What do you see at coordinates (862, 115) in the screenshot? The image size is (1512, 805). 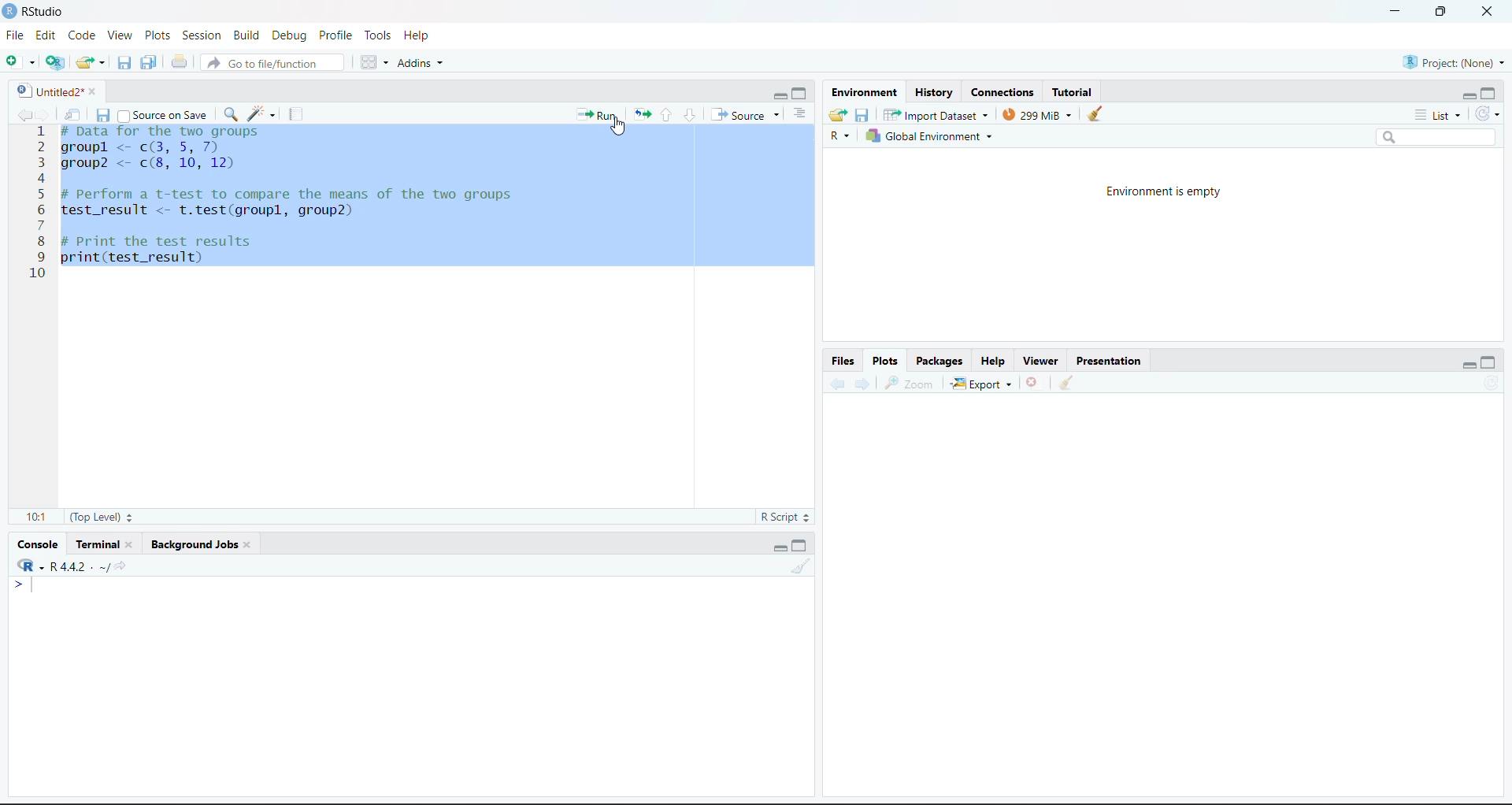 I see `save workspace as` at bounding box center [862, 115].